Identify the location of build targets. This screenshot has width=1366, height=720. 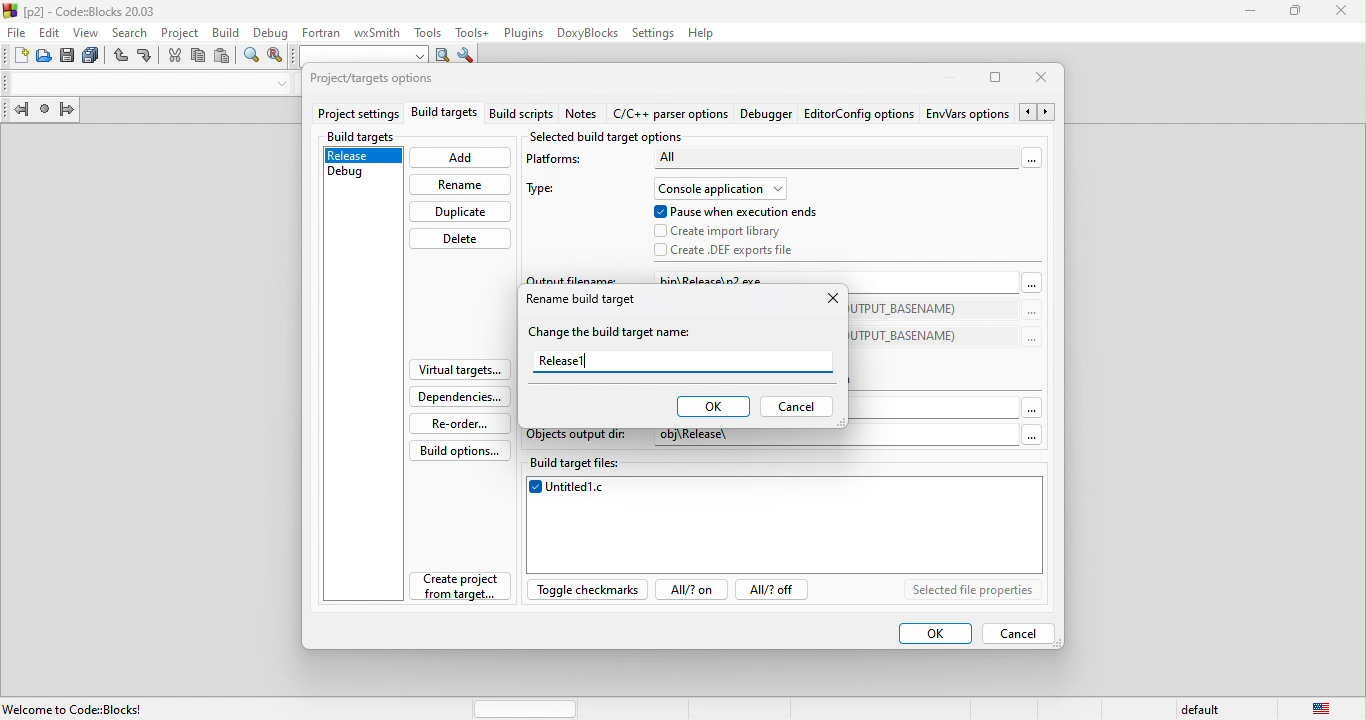
(363, 137).